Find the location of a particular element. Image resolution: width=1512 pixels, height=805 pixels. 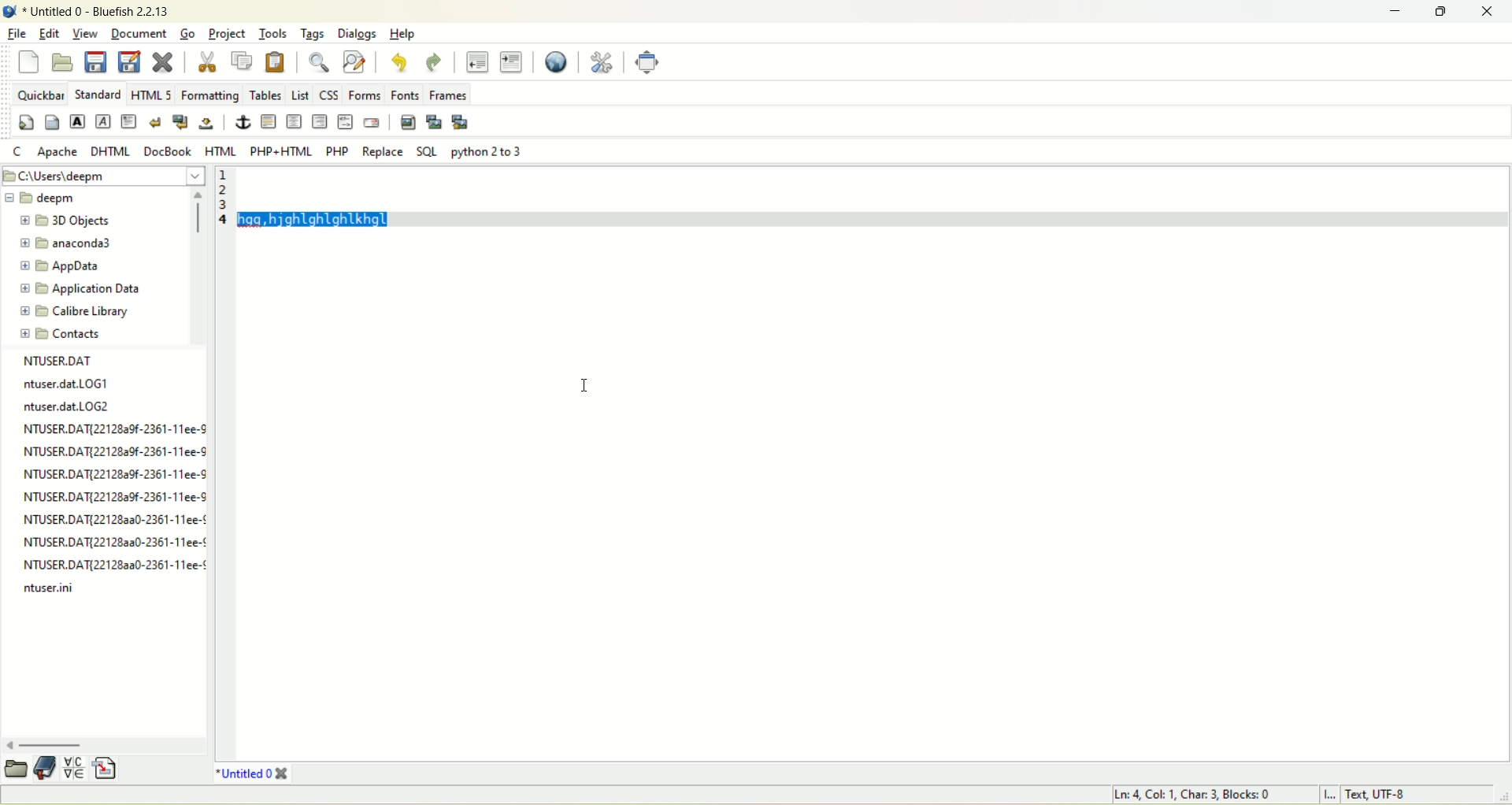

DHTML is located at coordinates (113, 151).